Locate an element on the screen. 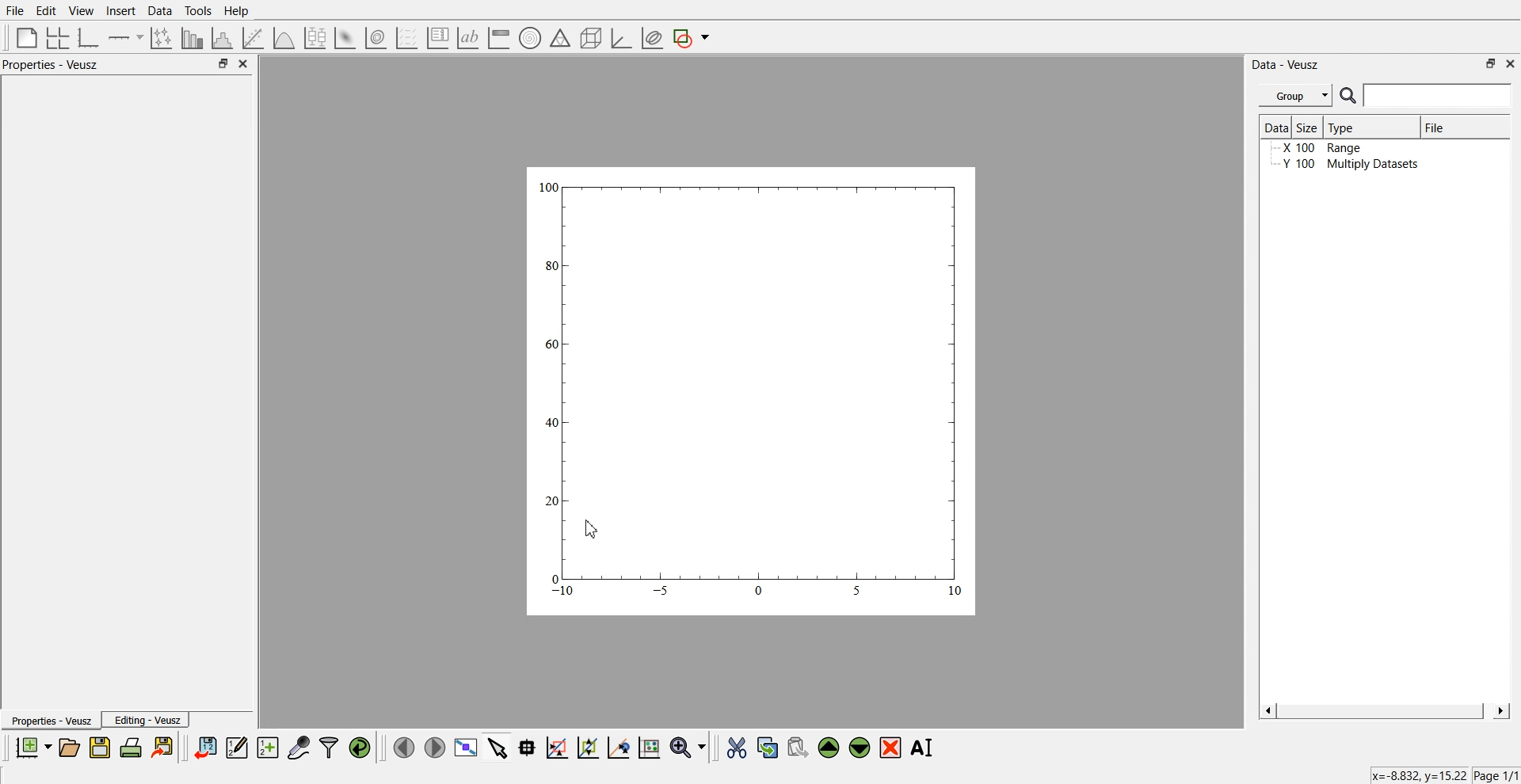 The height and width of the screenshot is (784, 1521). blank page is located at coordinates (23, 36).